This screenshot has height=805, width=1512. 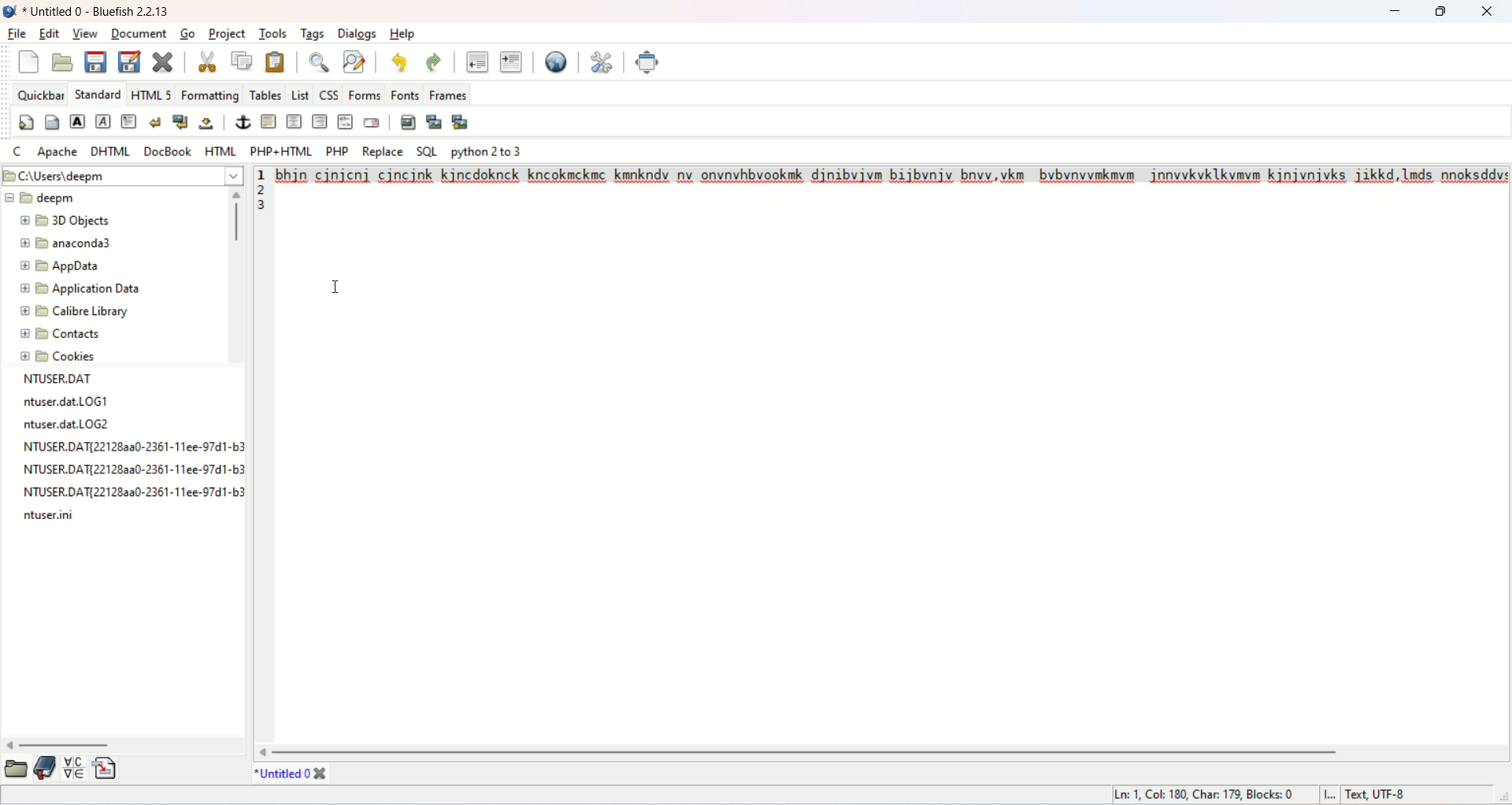 I want to click on logo, so click(x=9, y=12).